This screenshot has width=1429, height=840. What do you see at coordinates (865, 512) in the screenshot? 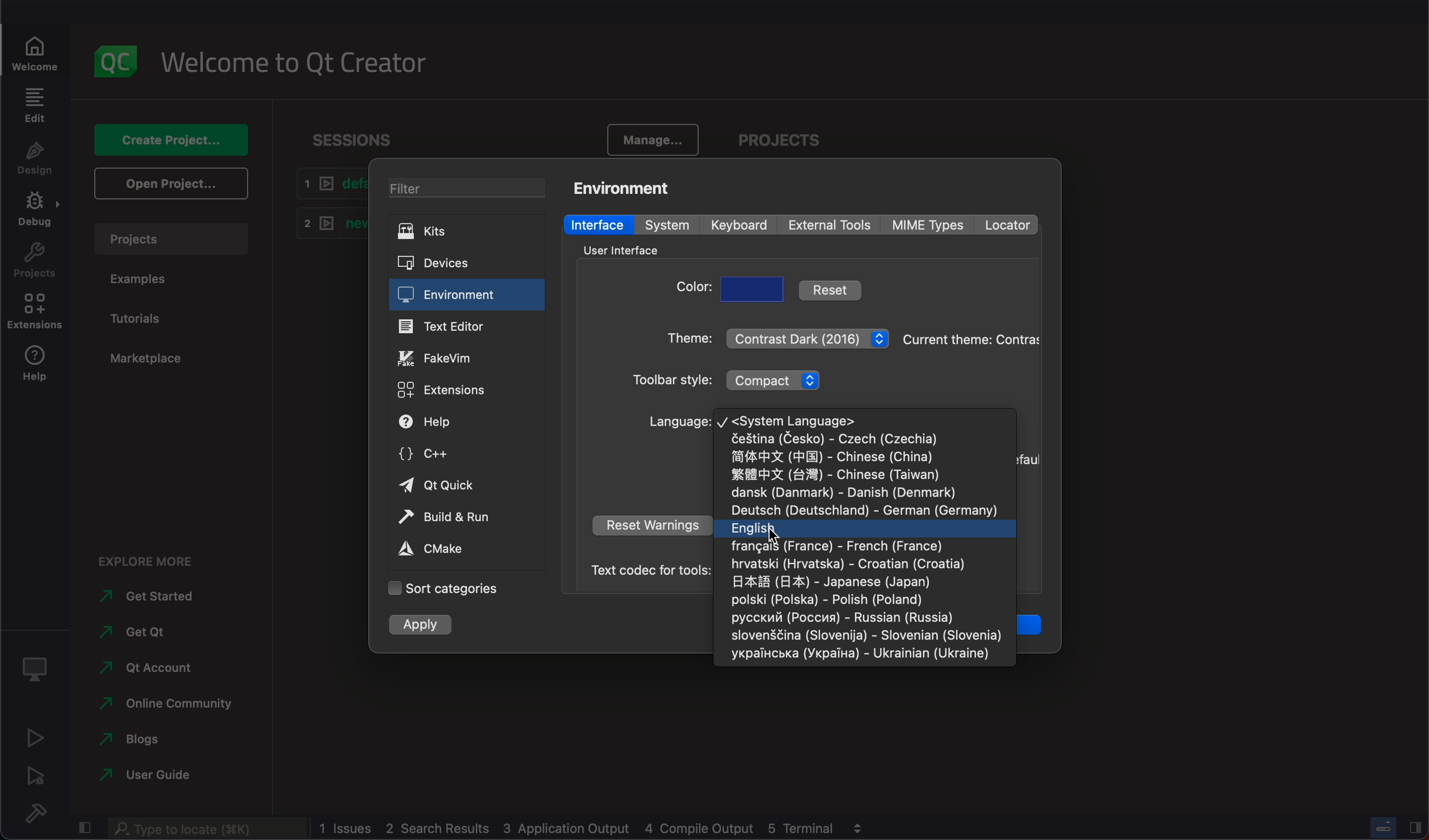
I see `germany` at bounding box center [865, 512].